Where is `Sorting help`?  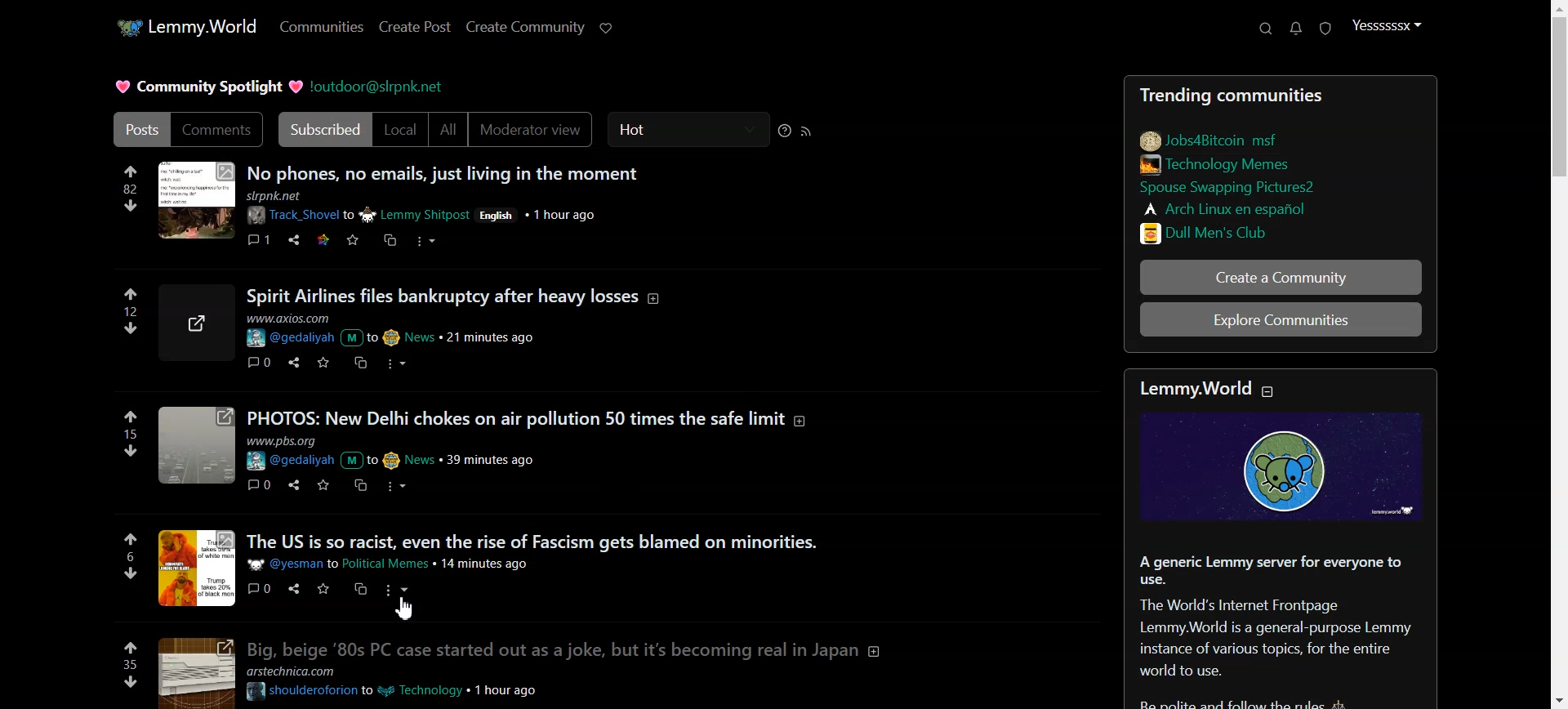
Sorting help is located at coordinates (785, 131).